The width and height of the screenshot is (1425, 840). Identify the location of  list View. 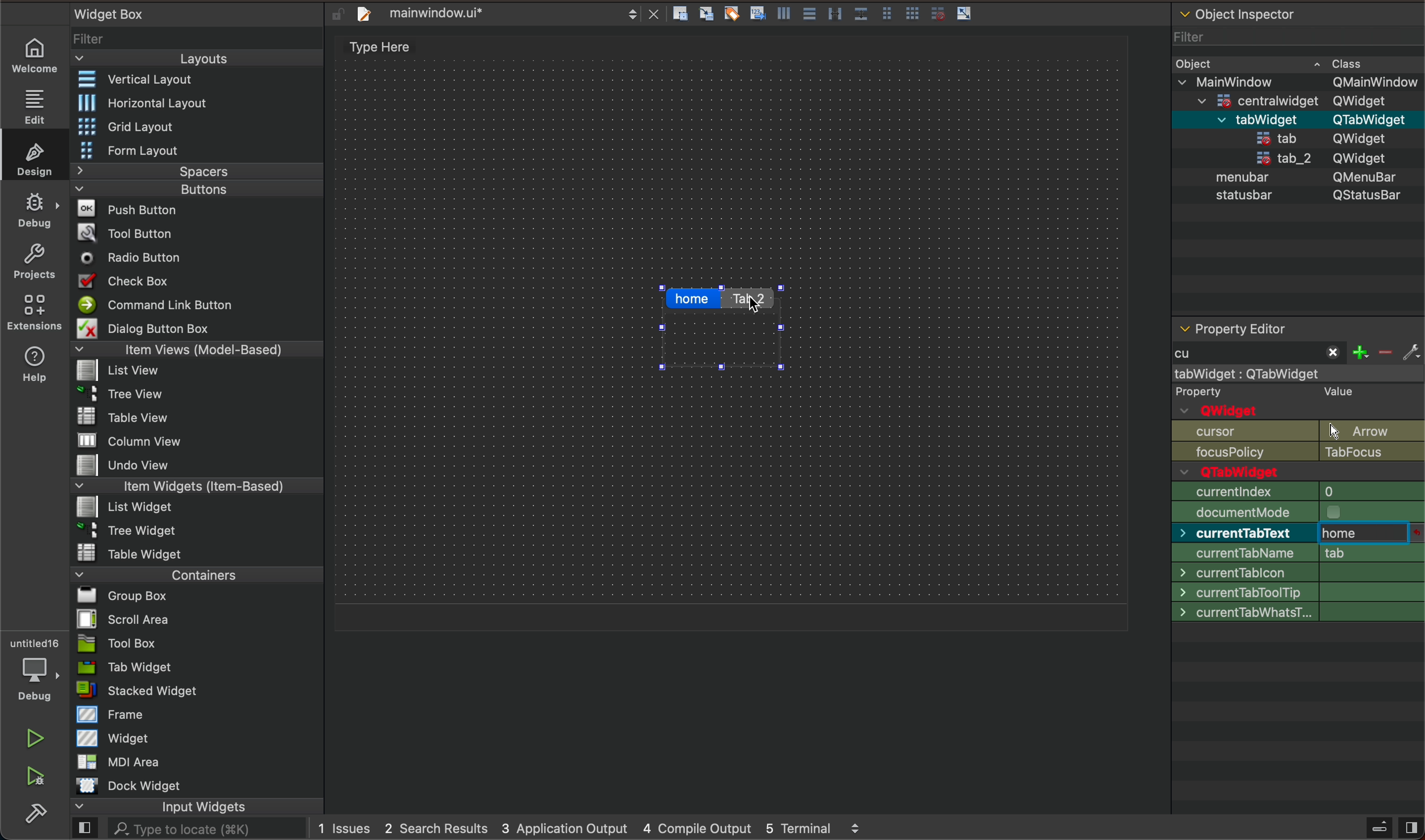
(119, 371).